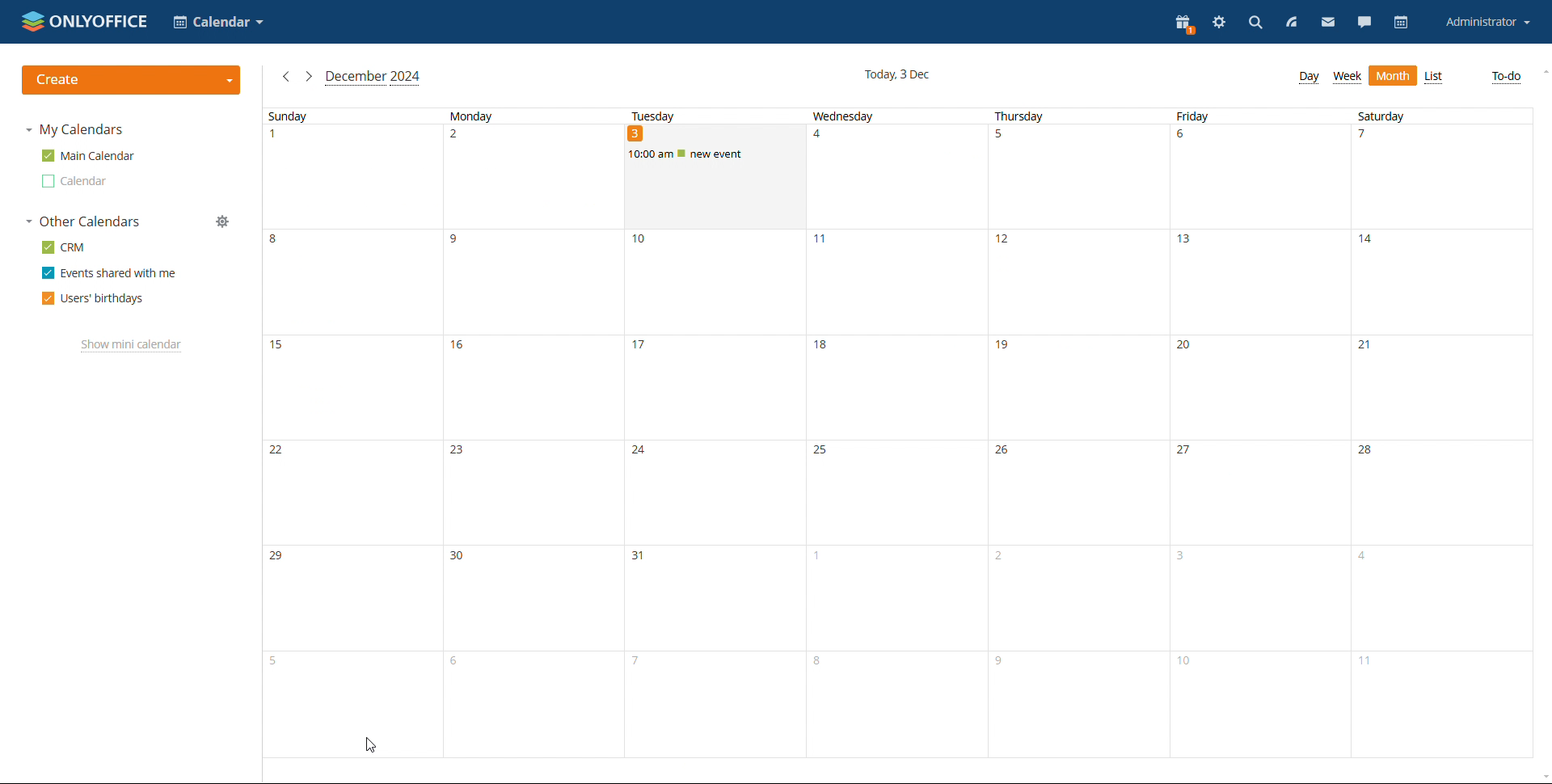  I want to click on 21, so click(1449, 387).